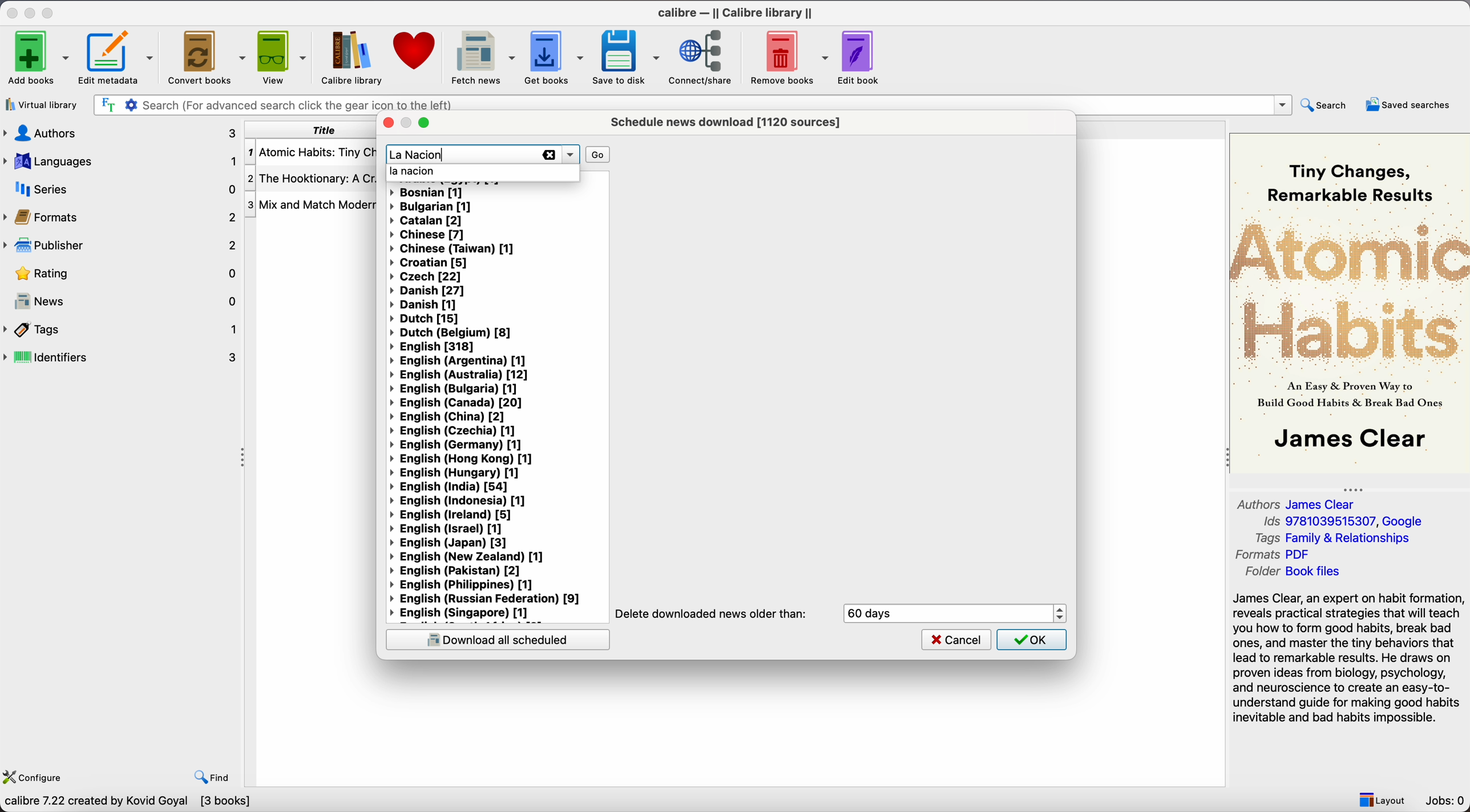  Describe the element at coordinates (205, 56) in the screenshot. I see `convert books` at that location.